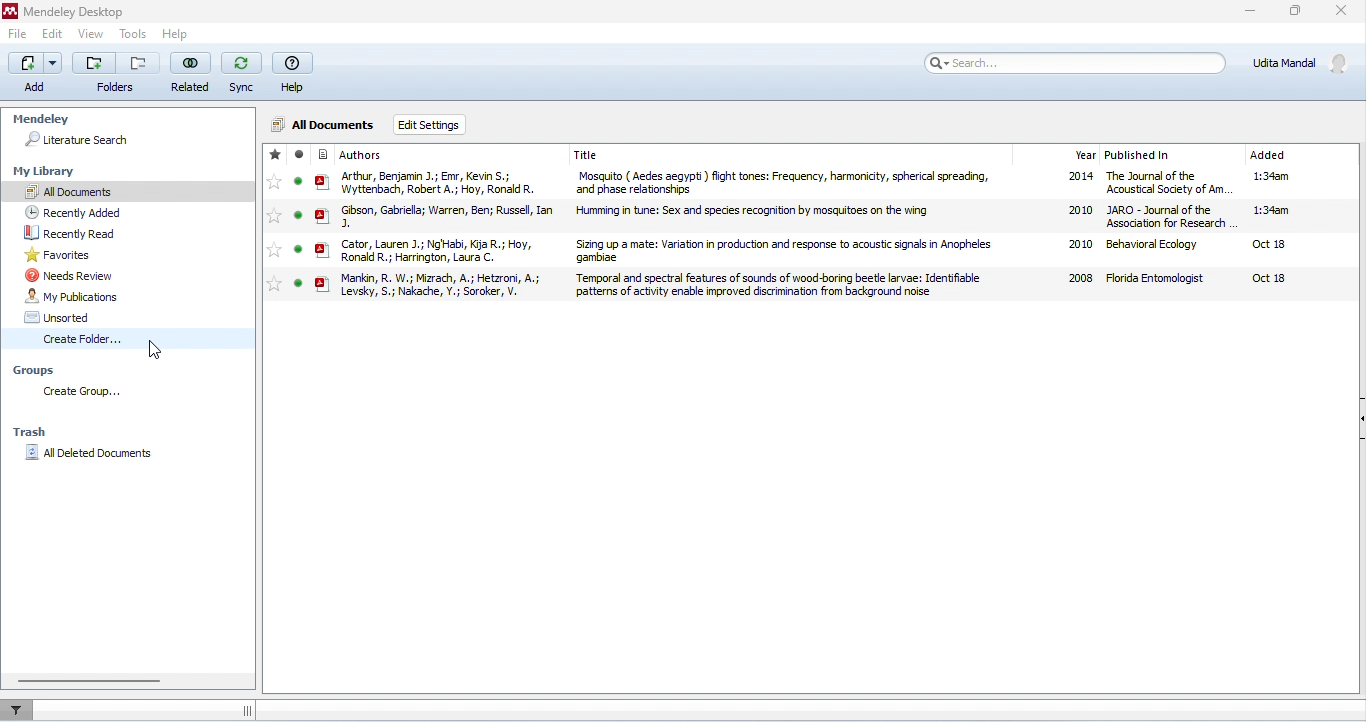  Describe the element at coordinates (1085, 156) in the screenshot. I see `year` at that location.